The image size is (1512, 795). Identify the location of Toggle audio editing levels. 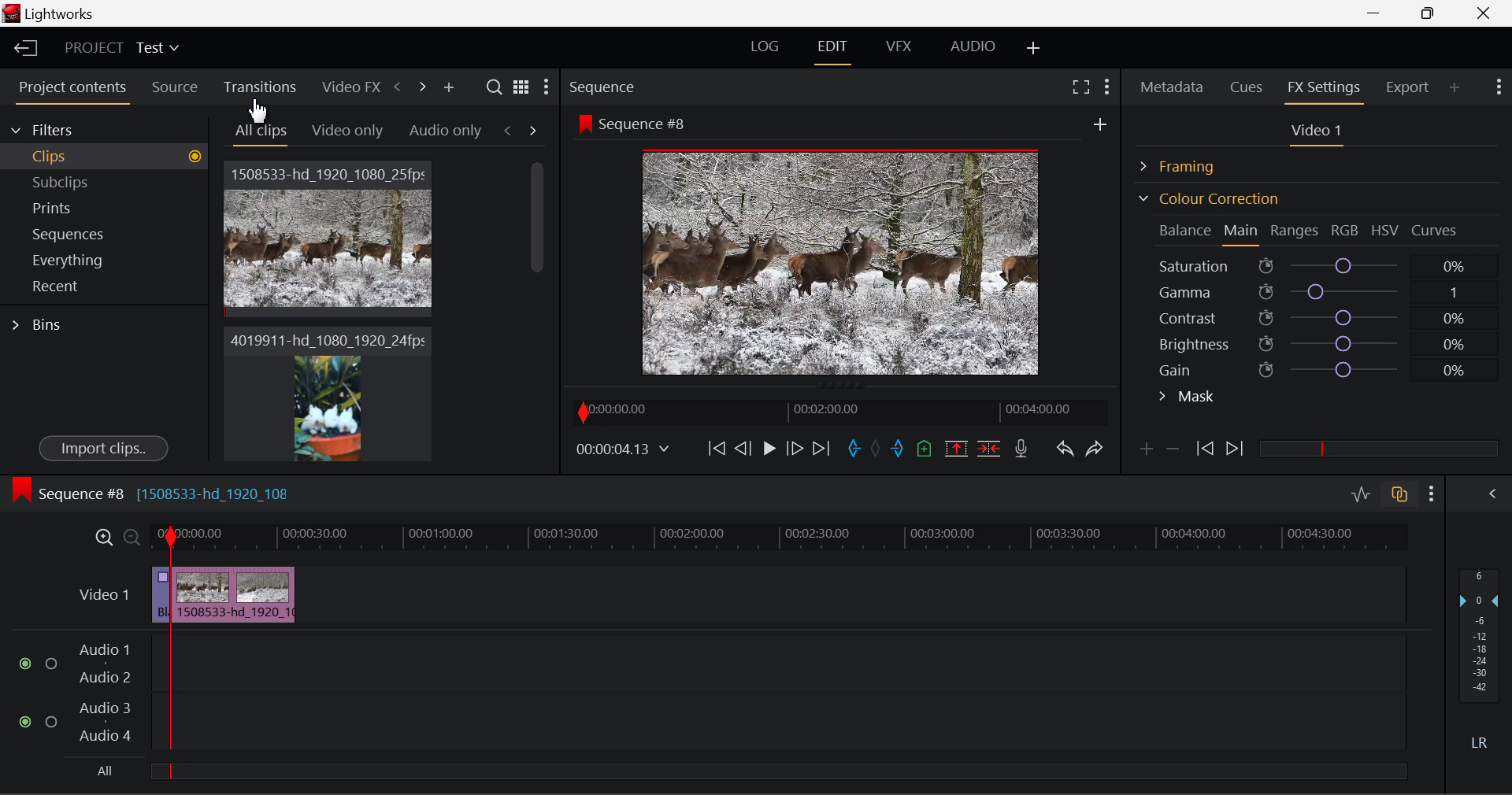
(1362, 492).